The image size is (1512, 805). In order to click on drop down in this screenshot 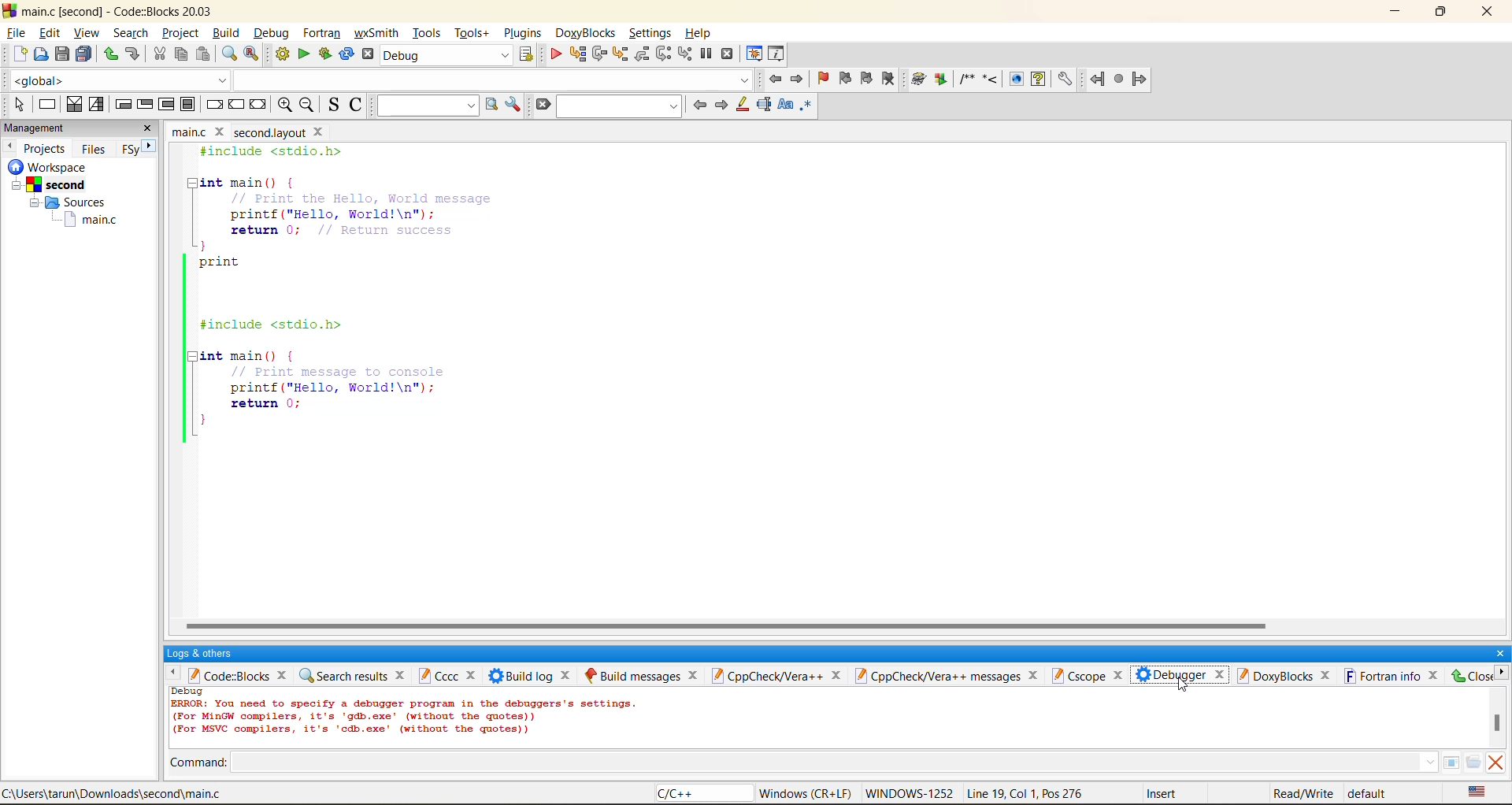, I will do `click(1426, 762)`.